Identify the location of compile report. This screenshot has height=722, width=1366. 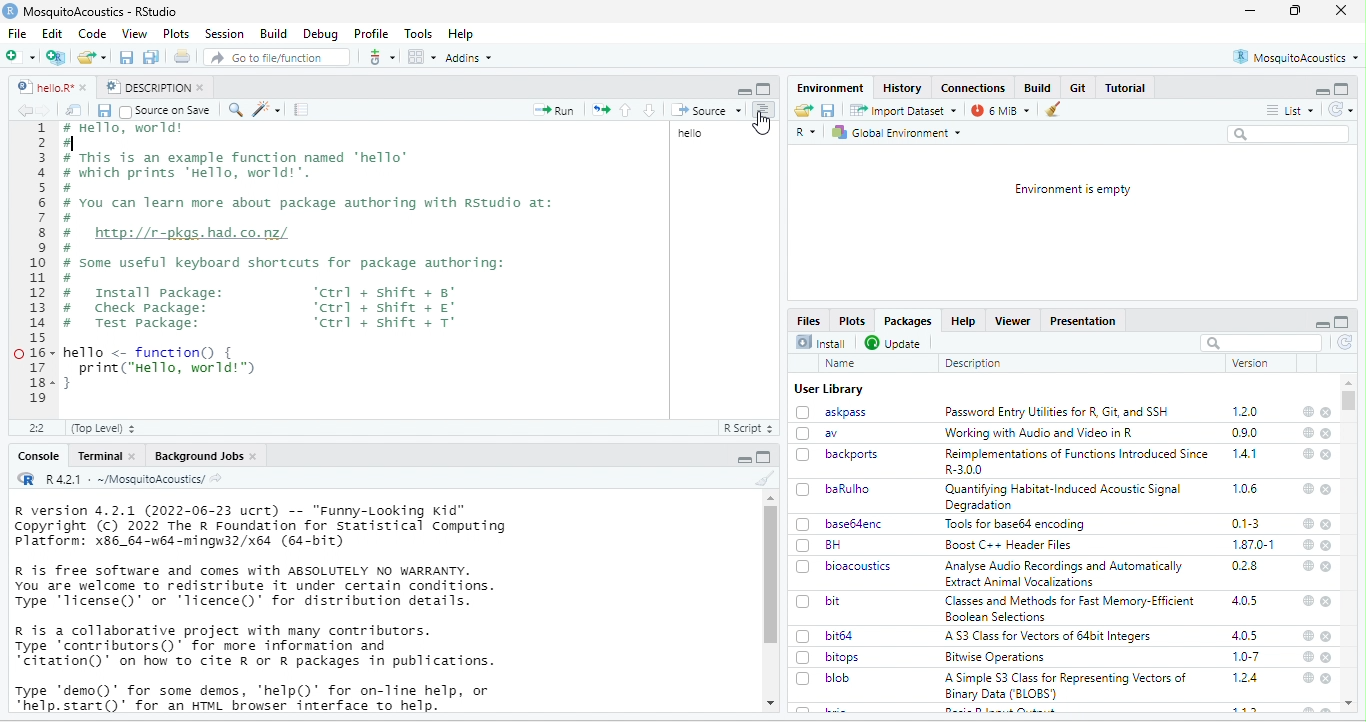
(302, 110).